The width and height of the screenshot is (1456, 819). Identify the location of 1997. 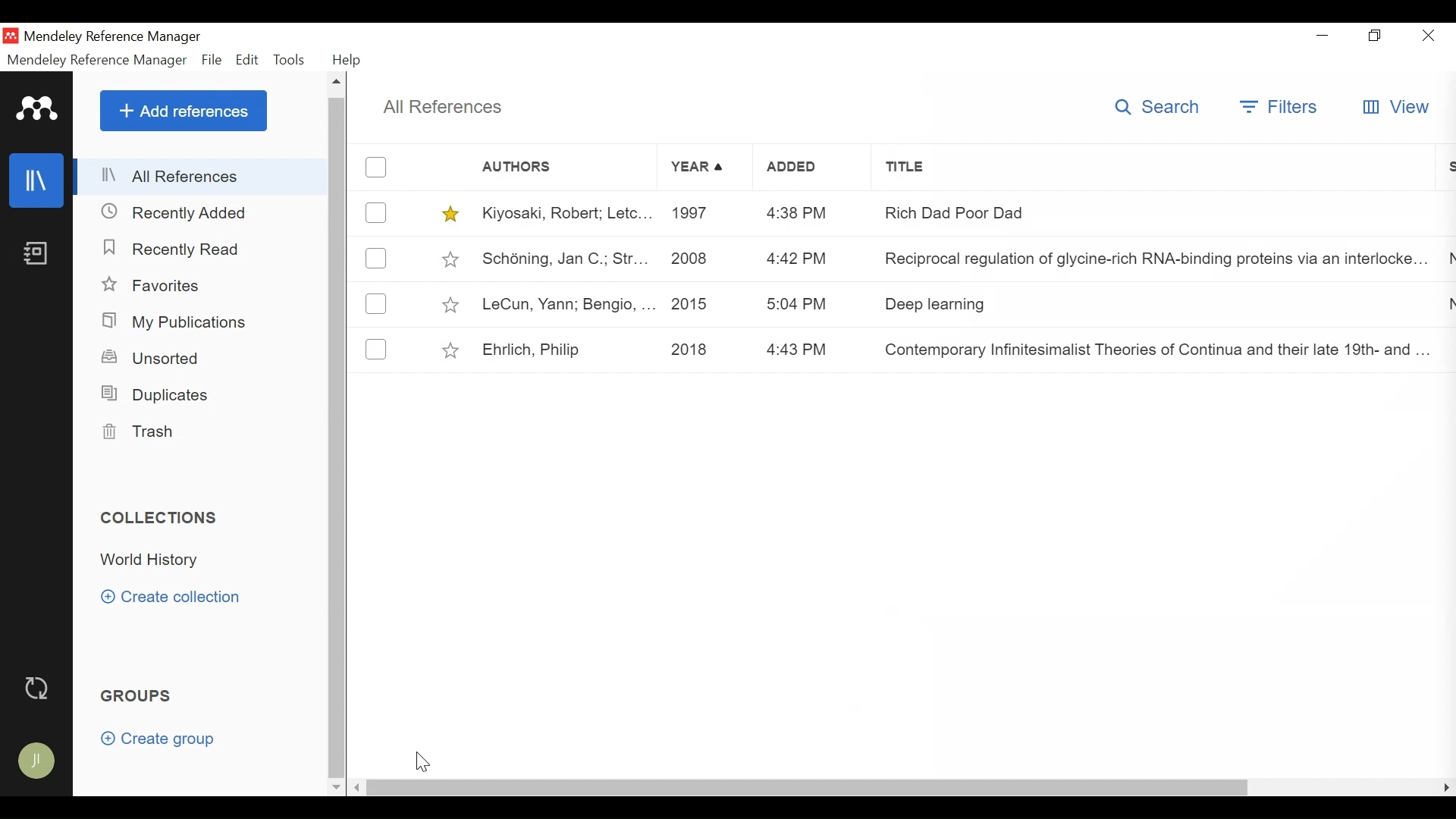
(703, 213).